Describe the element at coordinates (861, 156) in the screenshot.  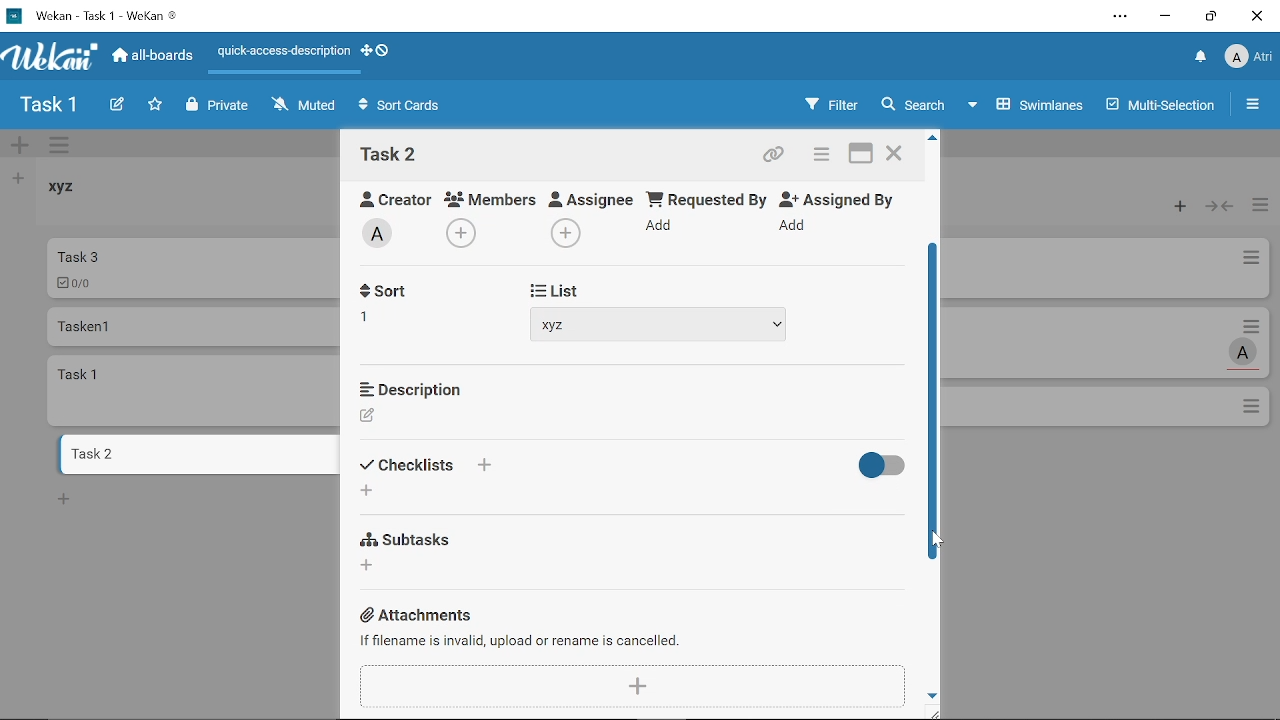
I see `Maximize card` at that location.